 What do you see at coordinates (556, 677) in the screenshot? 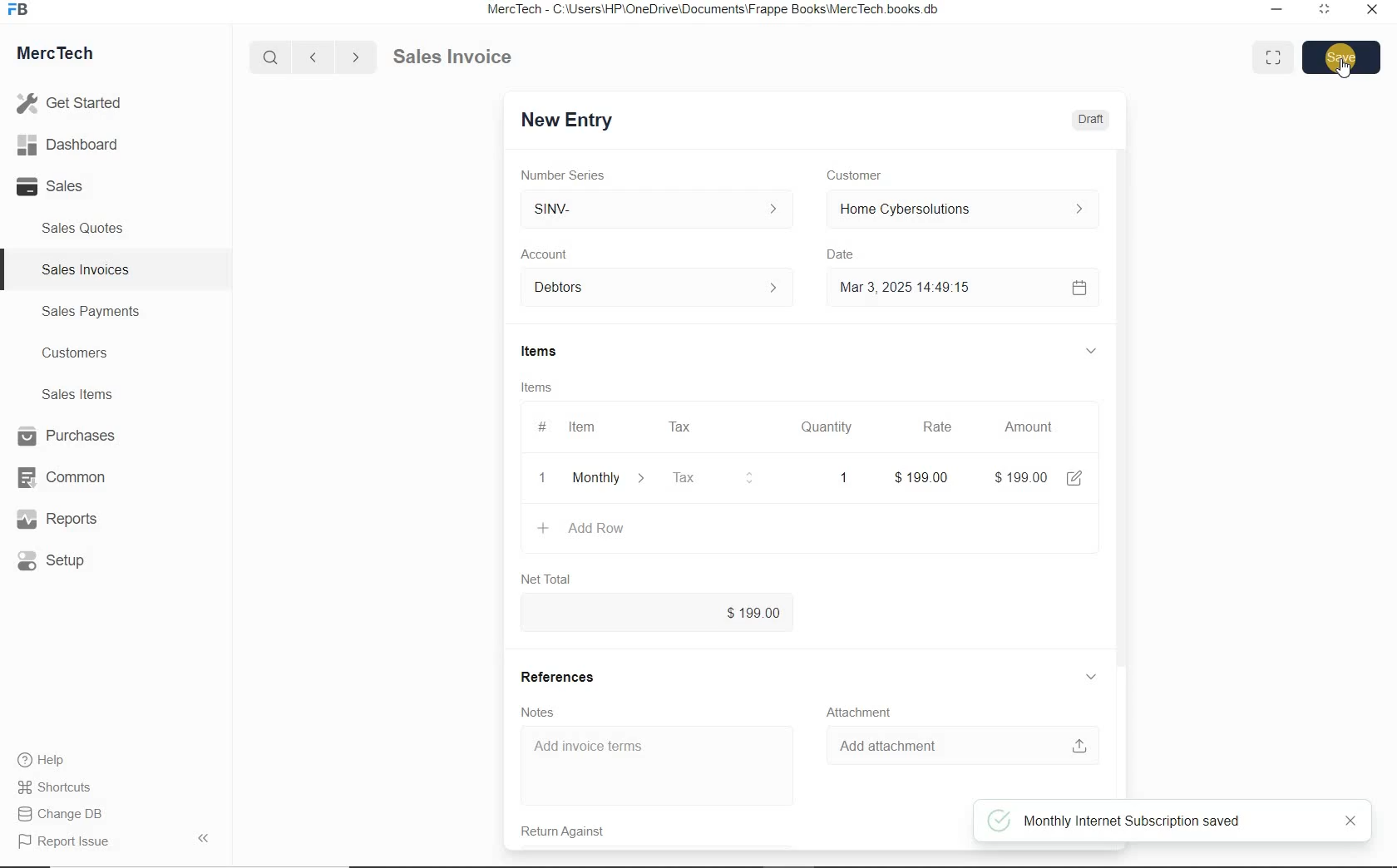
I see `References` at bounding box center [556, 677].